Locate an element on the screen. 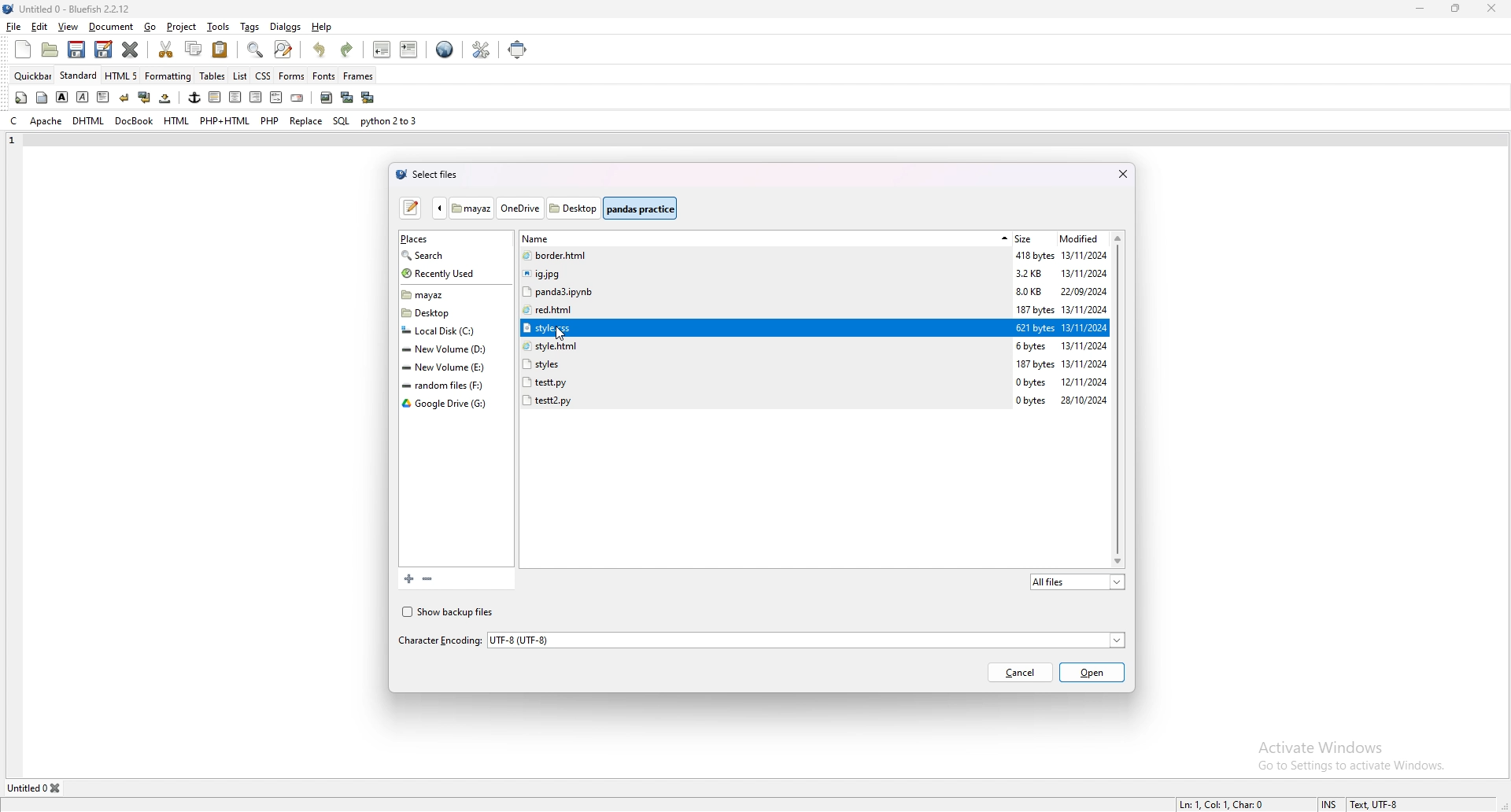  folder path is located at coordinates (555, 207).